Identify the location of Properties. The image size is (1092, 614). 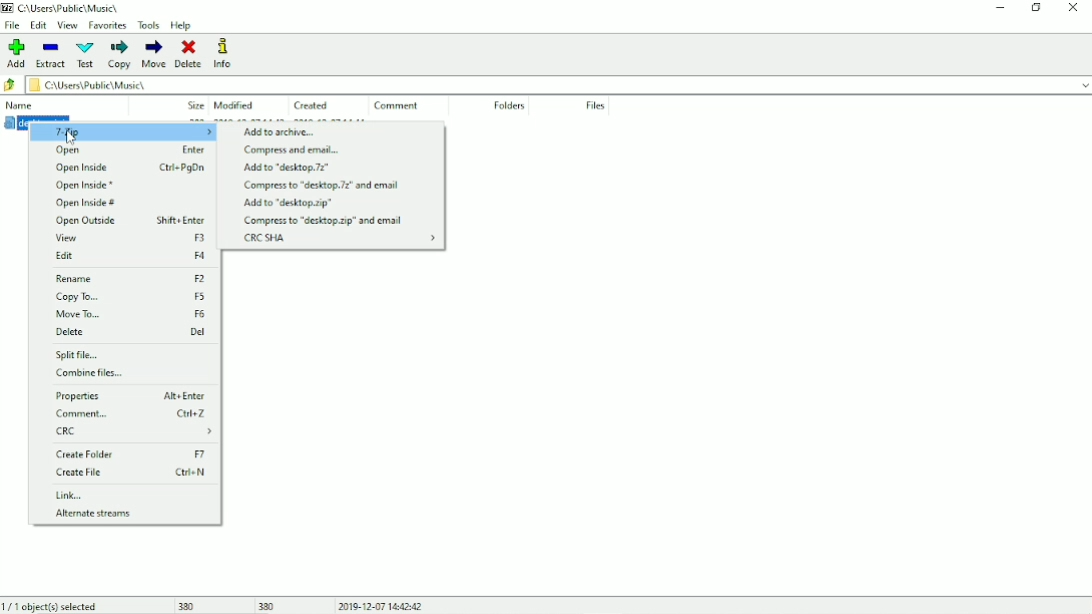
(130, 396).